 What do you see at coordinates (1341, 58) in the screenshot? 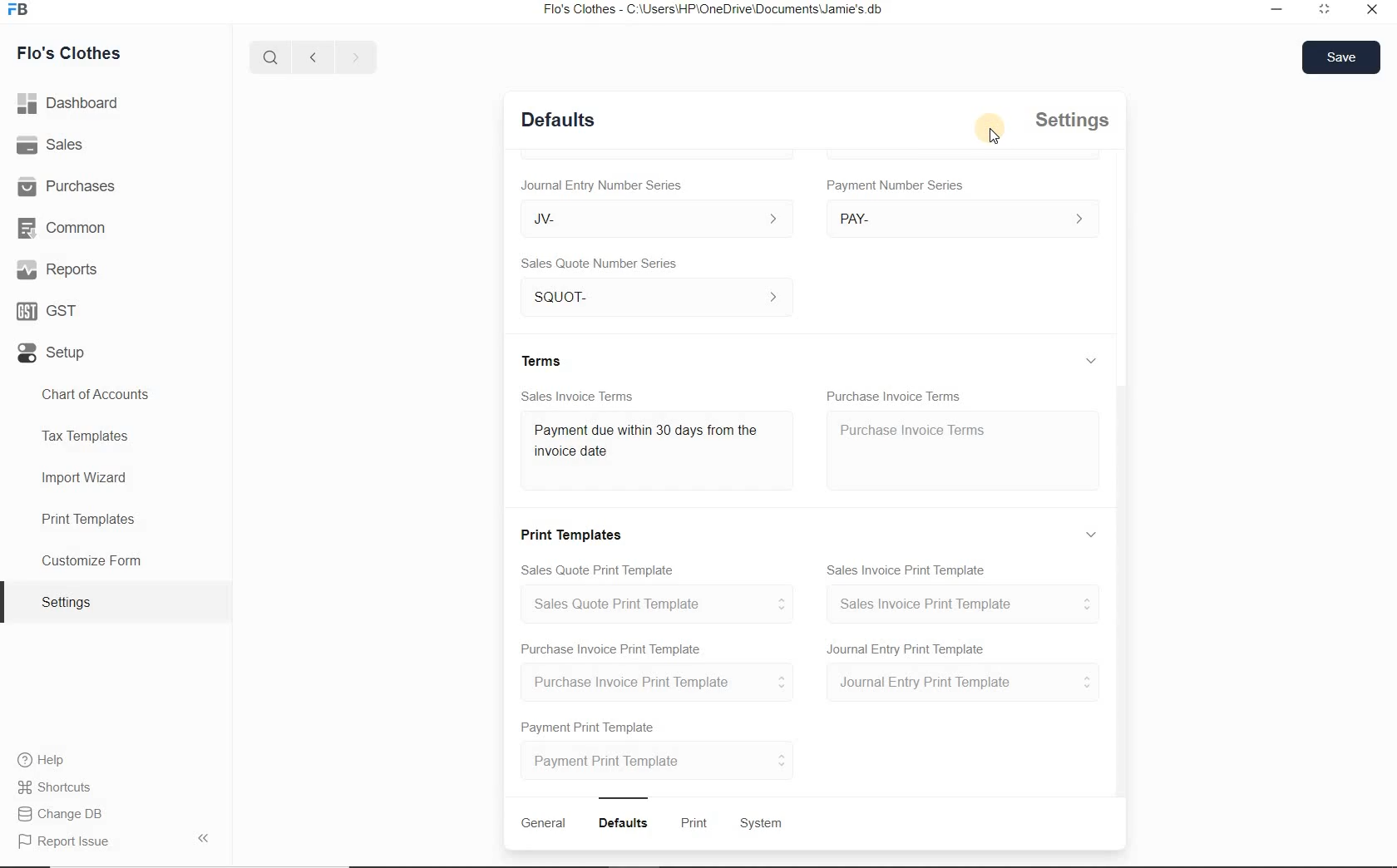
I see `Save` at bounding box center [1341, 58].